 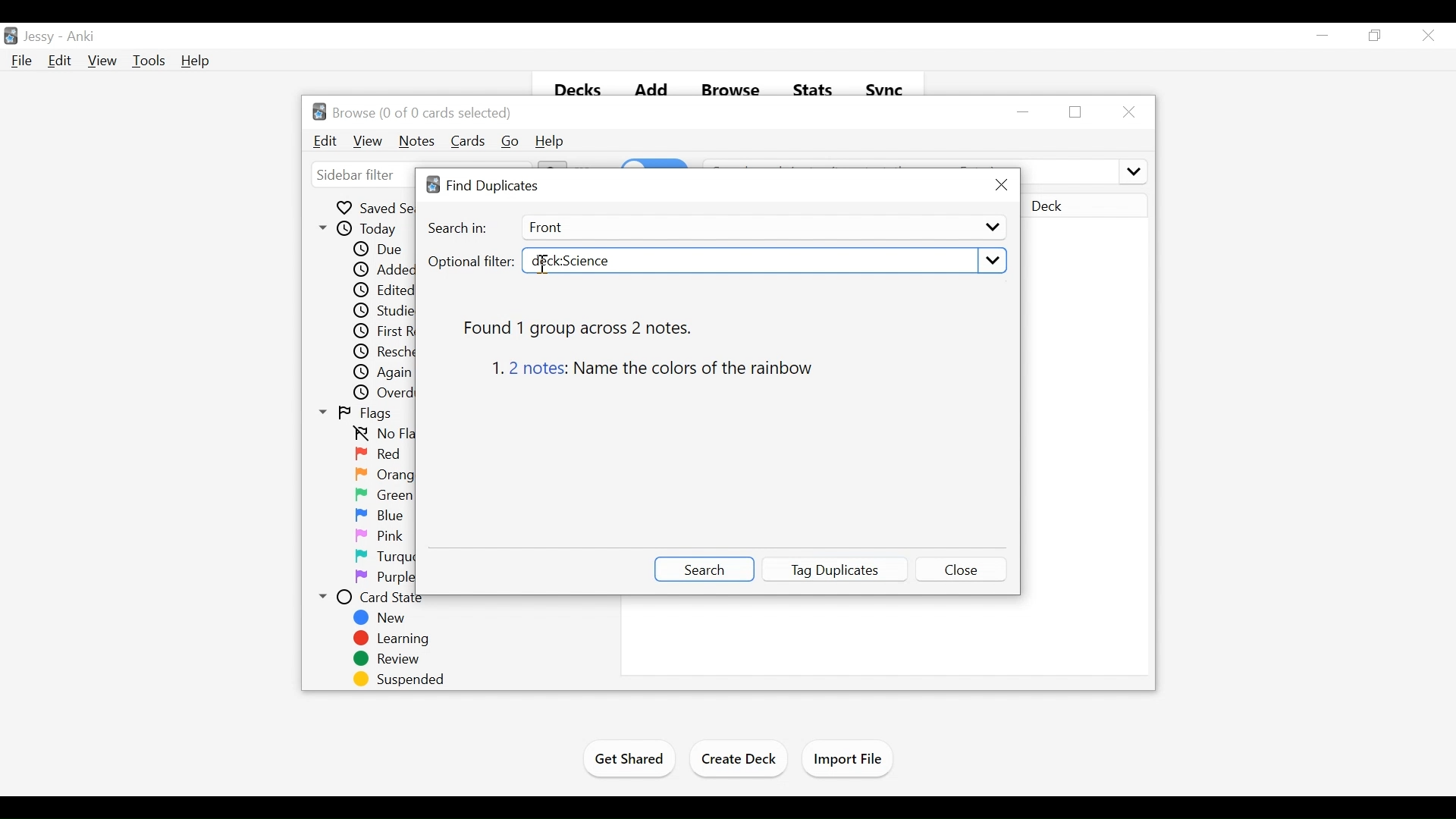 What do you see at coordinates (326, 141) in the screenshot?
I see `Edit` at bounding box center [326, 141].